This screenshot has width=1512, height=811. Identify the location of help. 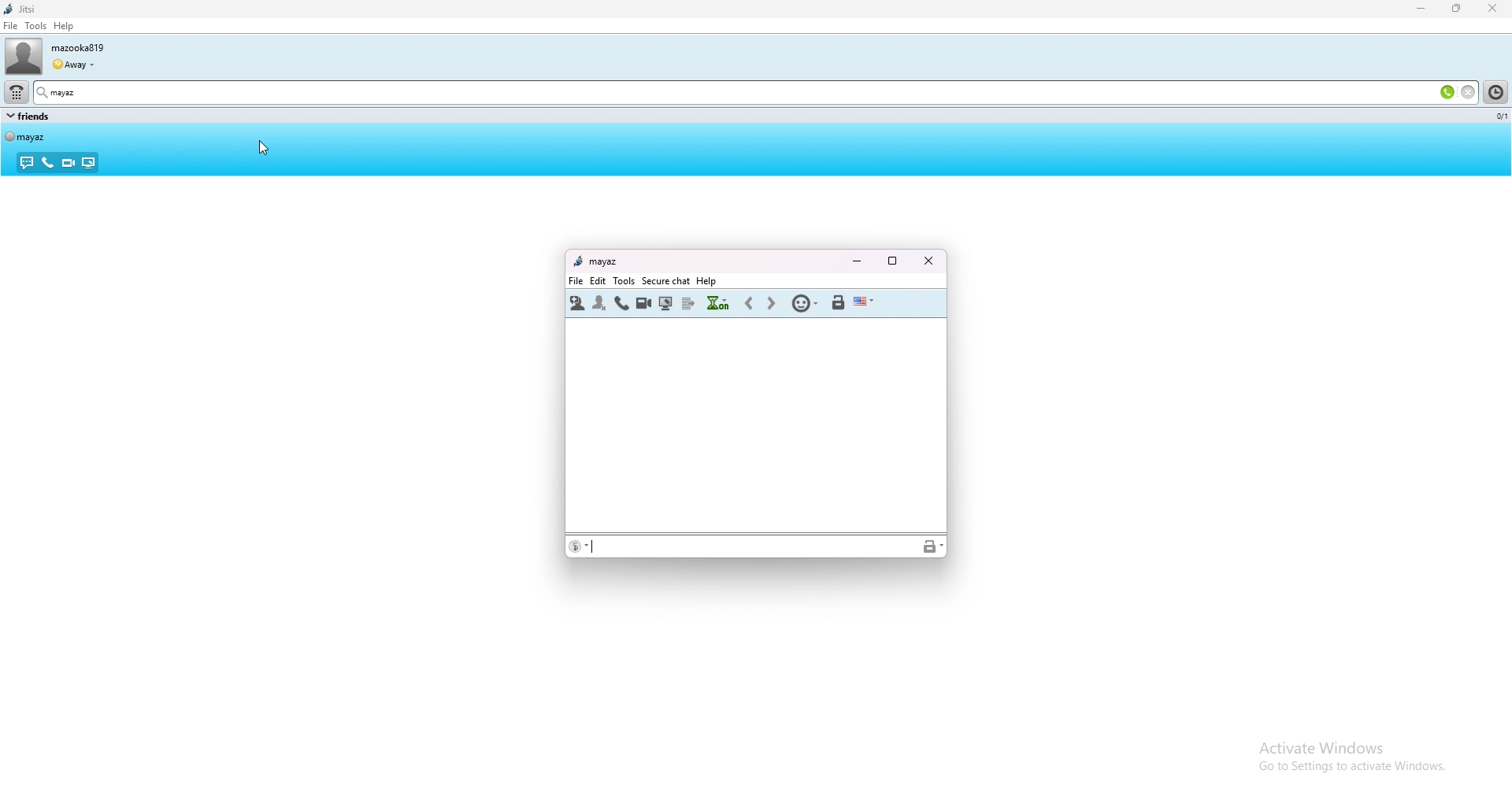
(707, 281).